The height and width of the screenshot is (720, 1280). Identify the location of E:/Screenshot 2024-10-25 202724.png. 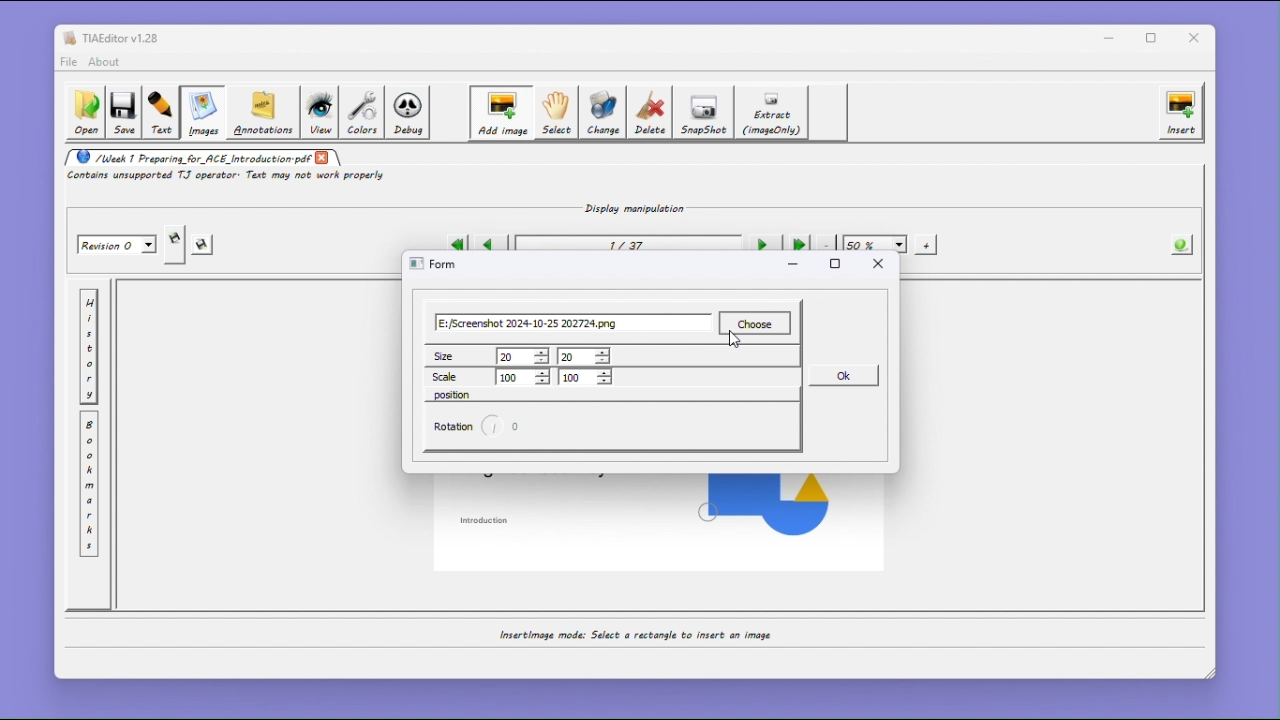
(574, 323).